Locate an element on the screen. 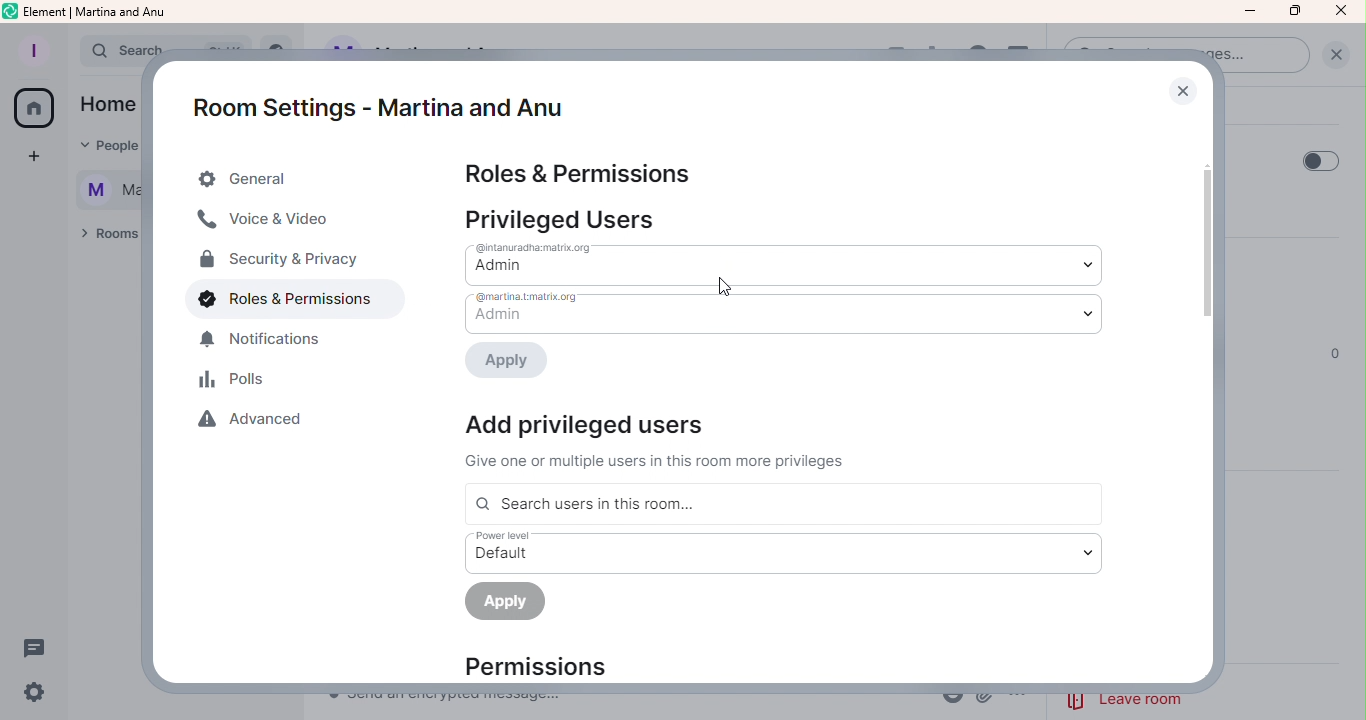  Search users in this room is located at coordinates (781, 504).